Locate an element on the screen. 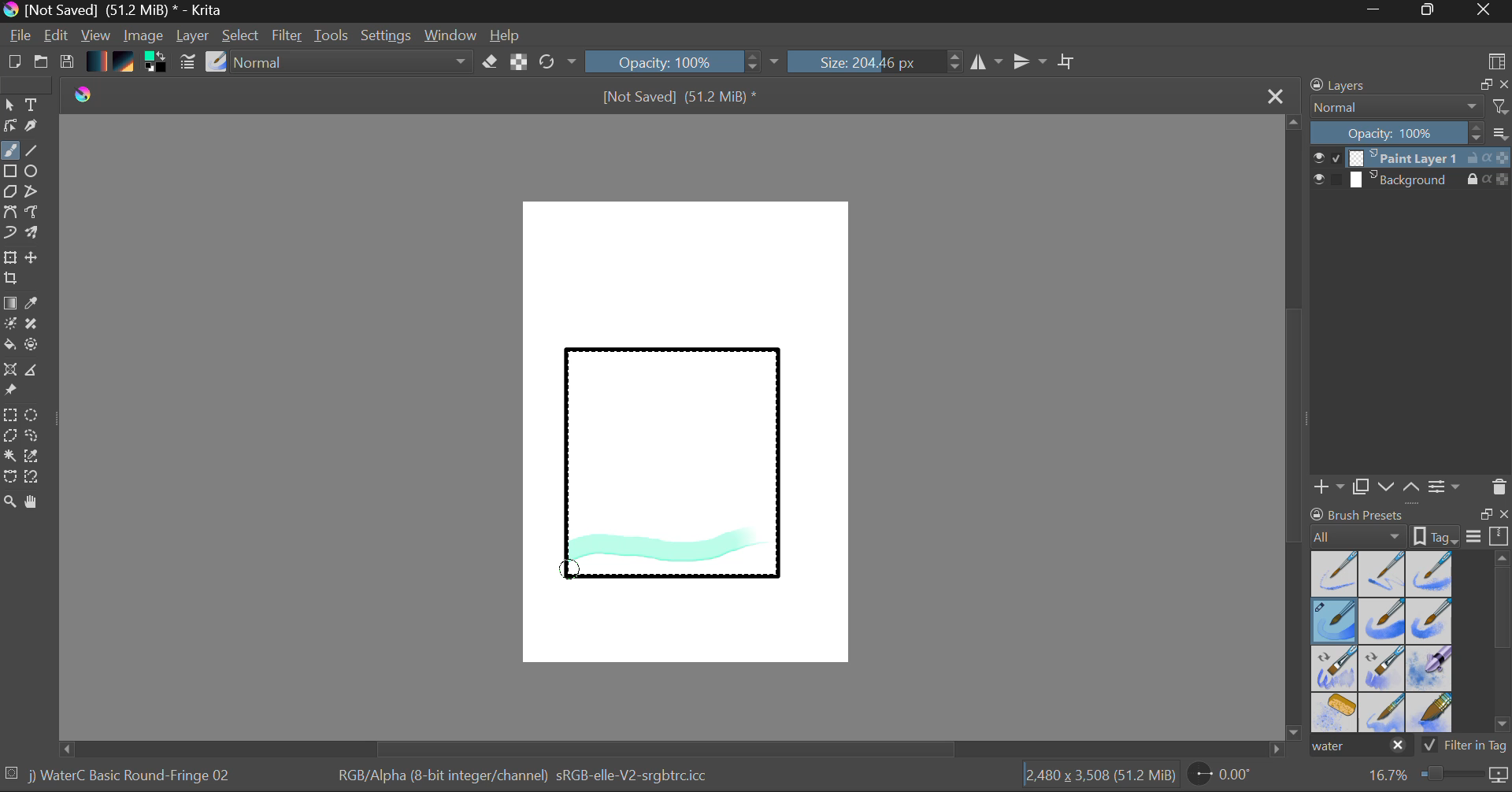 This screenshot has height=792, width=1512. Image is located at coordinates (145, 37).